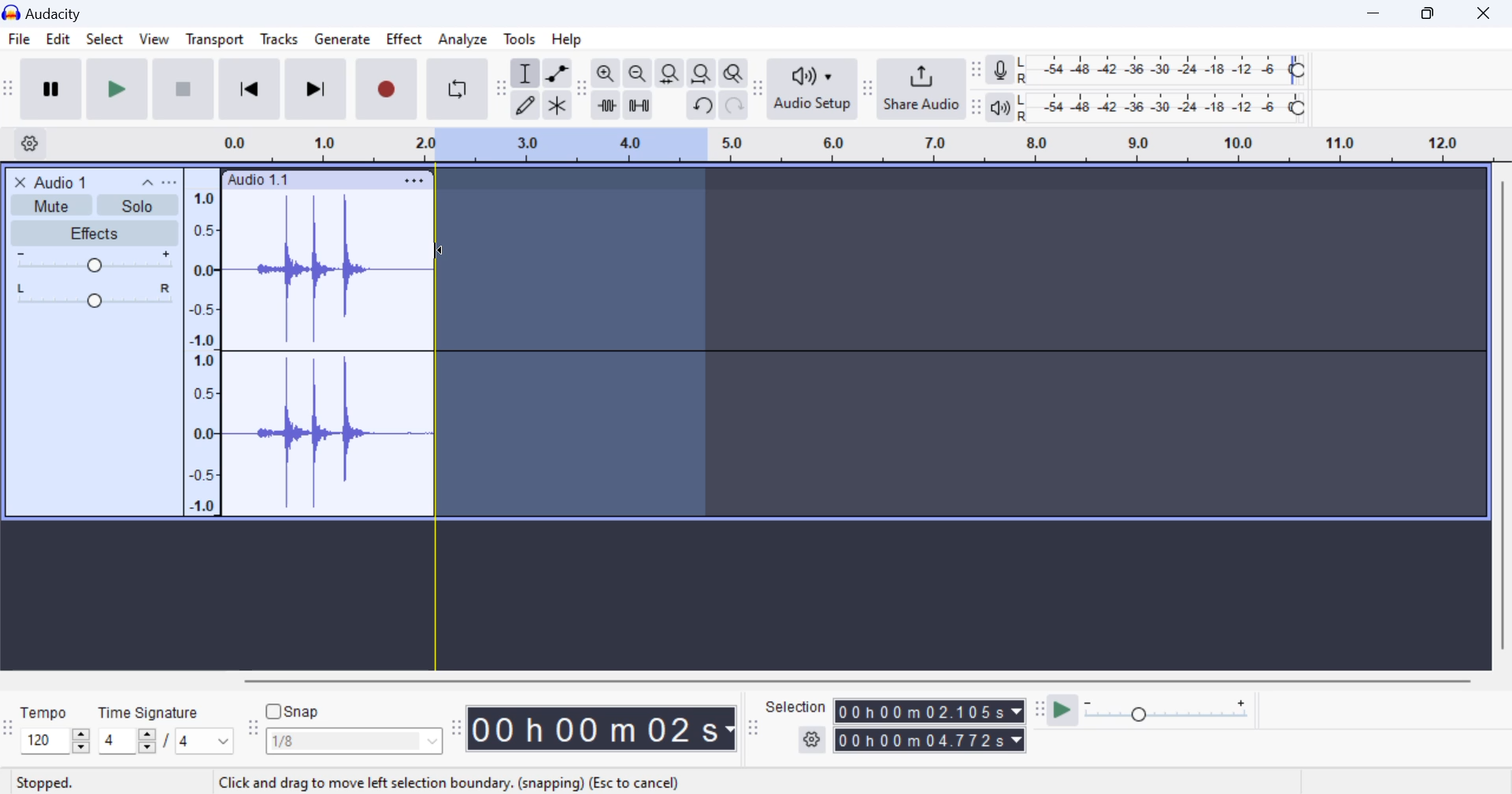 This screenshot has height=794, width=1512. Describe the element at coordinates (45, 711) in the screenshot. I see `Tempo ` at that location.